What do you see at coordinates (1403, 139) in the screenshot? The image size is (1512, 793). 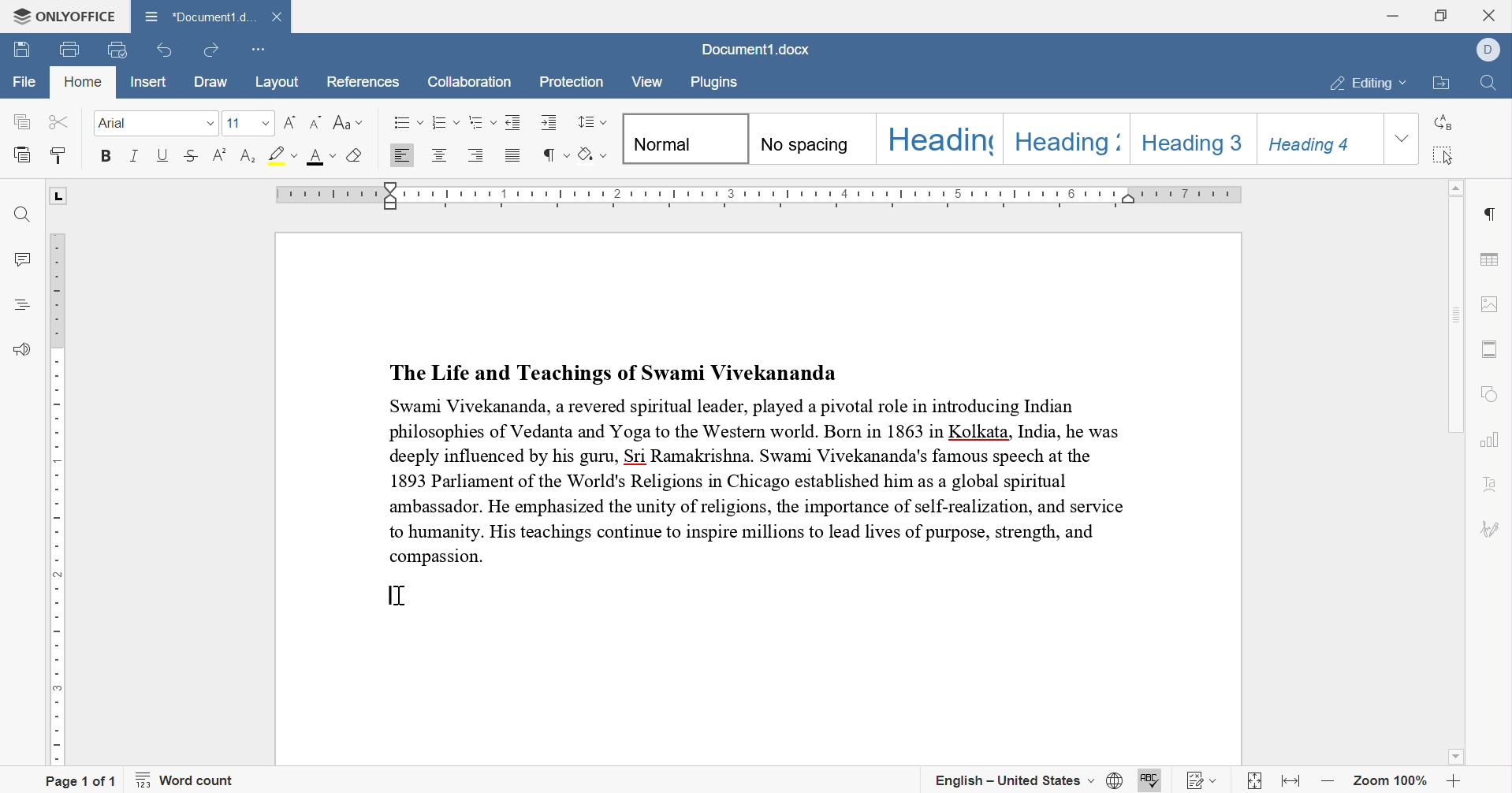 I see `drop down` at bounding box center [1403, 139].